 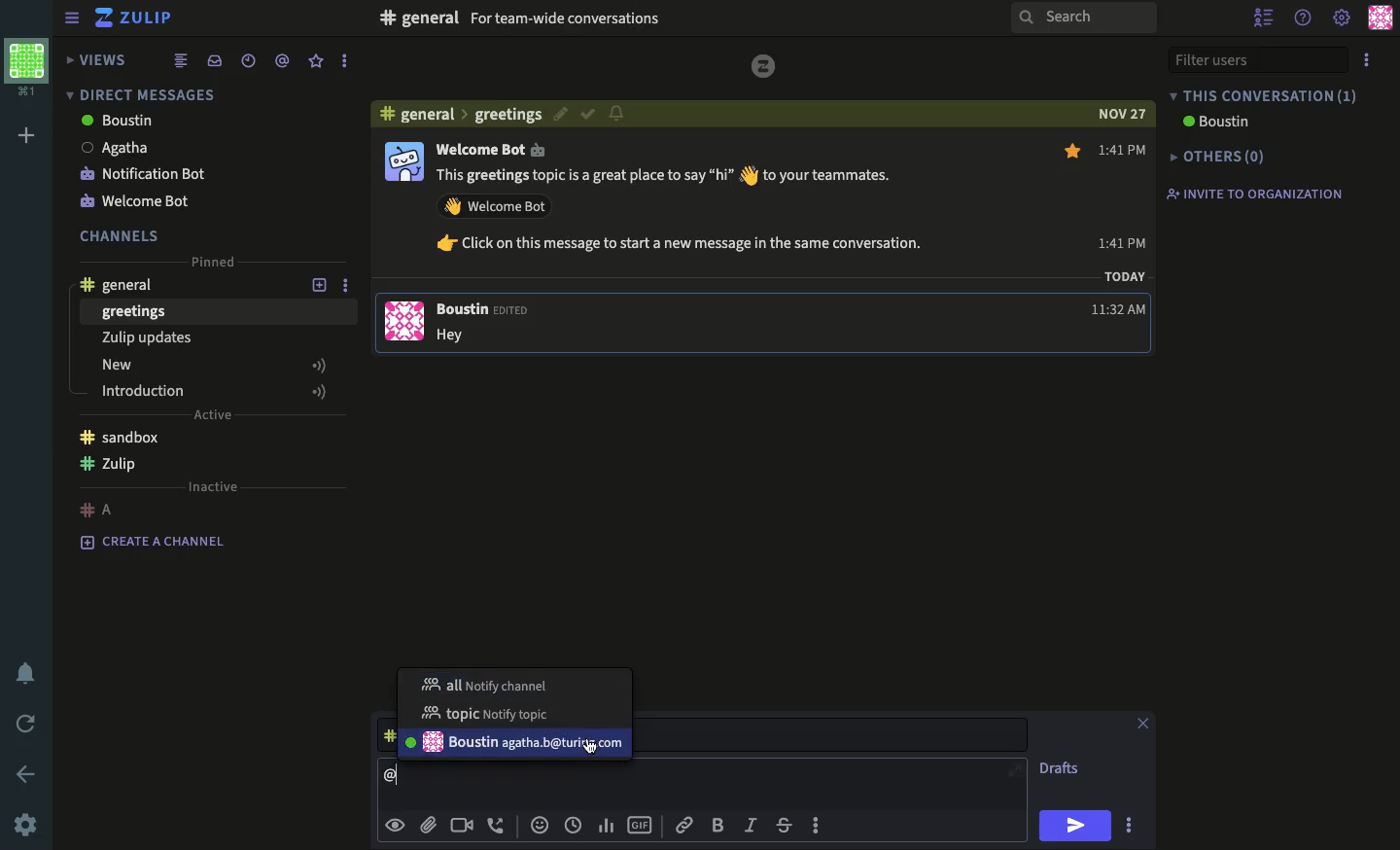 I want to click on this conversation (1), so click(x=1264, y=95).